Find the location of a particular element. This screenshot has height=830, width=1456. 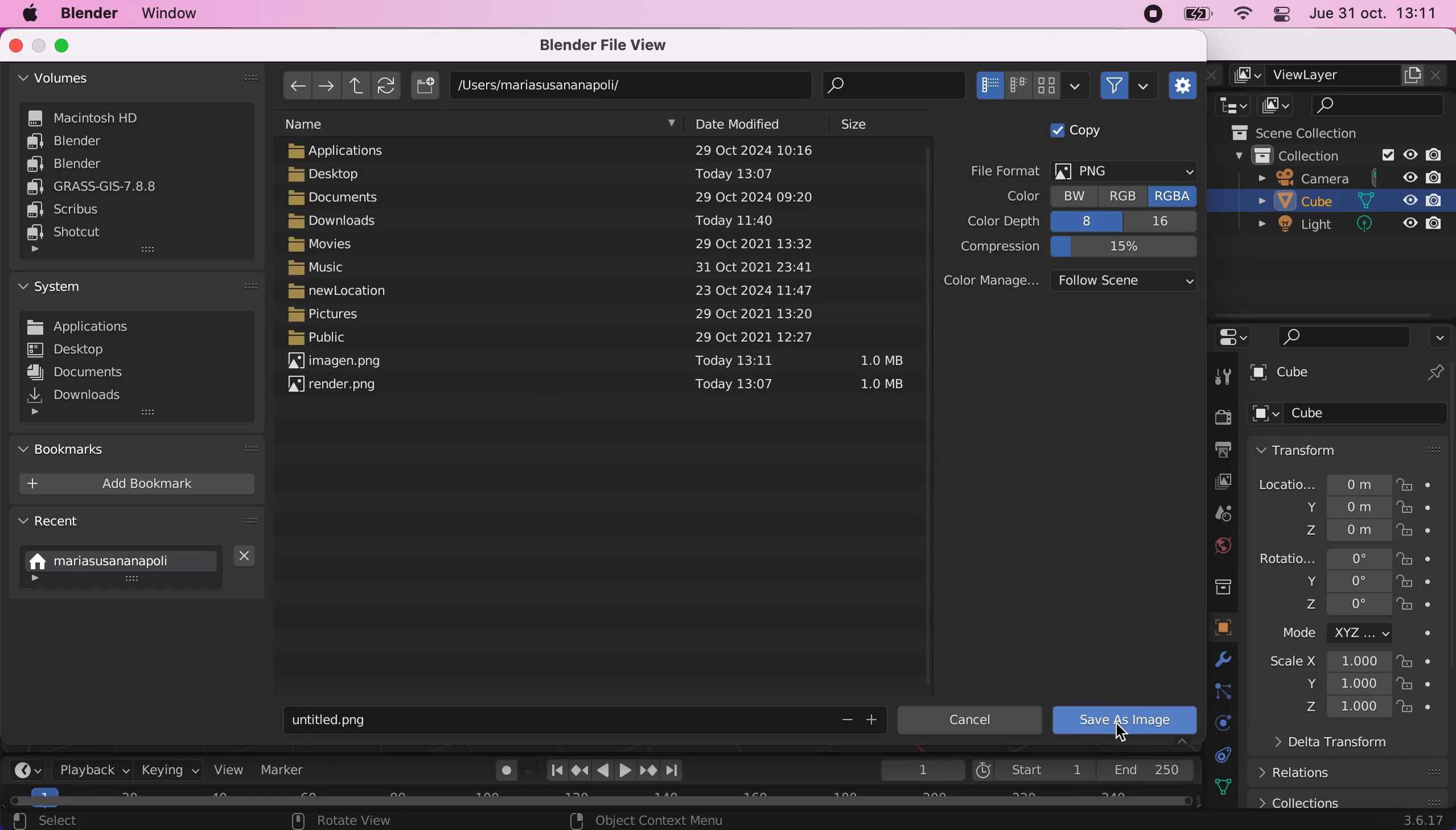

1 is located at coordinates (916, 770).